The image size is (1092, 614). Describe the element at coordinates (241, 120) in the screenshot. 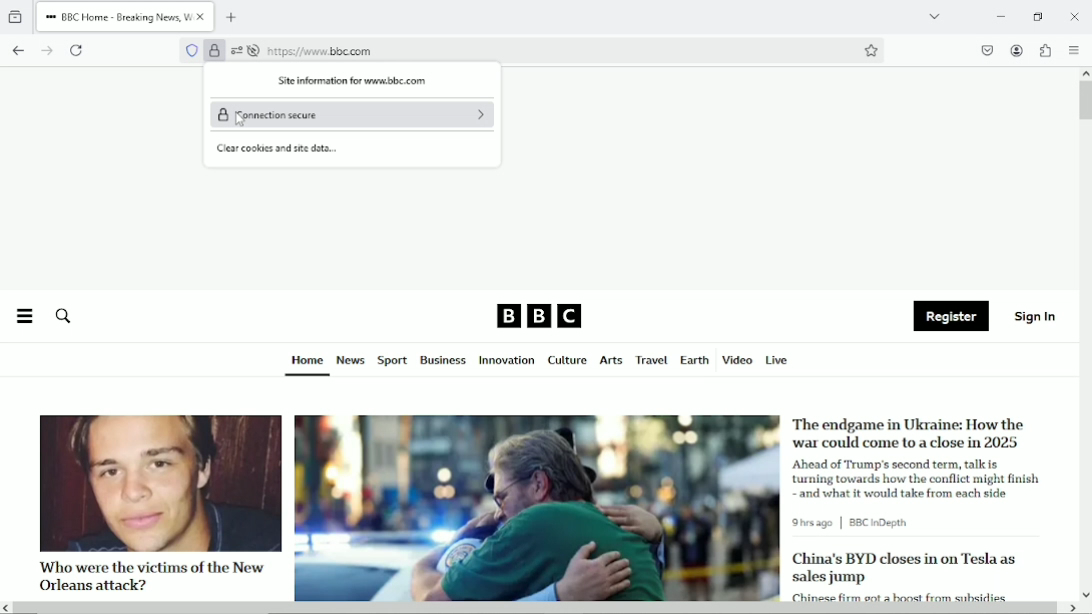

I see `Cursor` at that location.